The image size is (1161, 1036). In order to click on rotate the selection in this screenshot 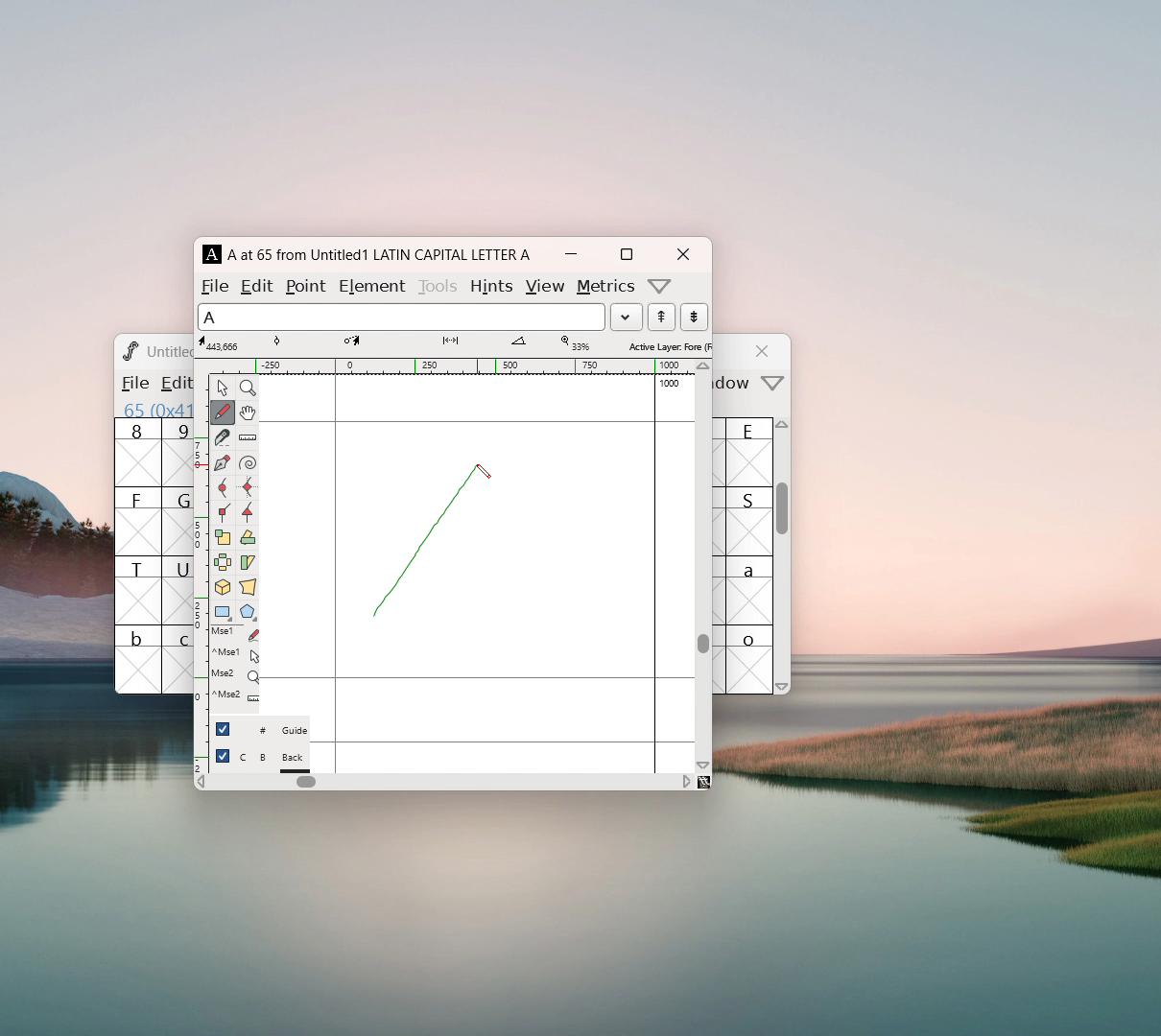, I will do `click(247, 539)`.